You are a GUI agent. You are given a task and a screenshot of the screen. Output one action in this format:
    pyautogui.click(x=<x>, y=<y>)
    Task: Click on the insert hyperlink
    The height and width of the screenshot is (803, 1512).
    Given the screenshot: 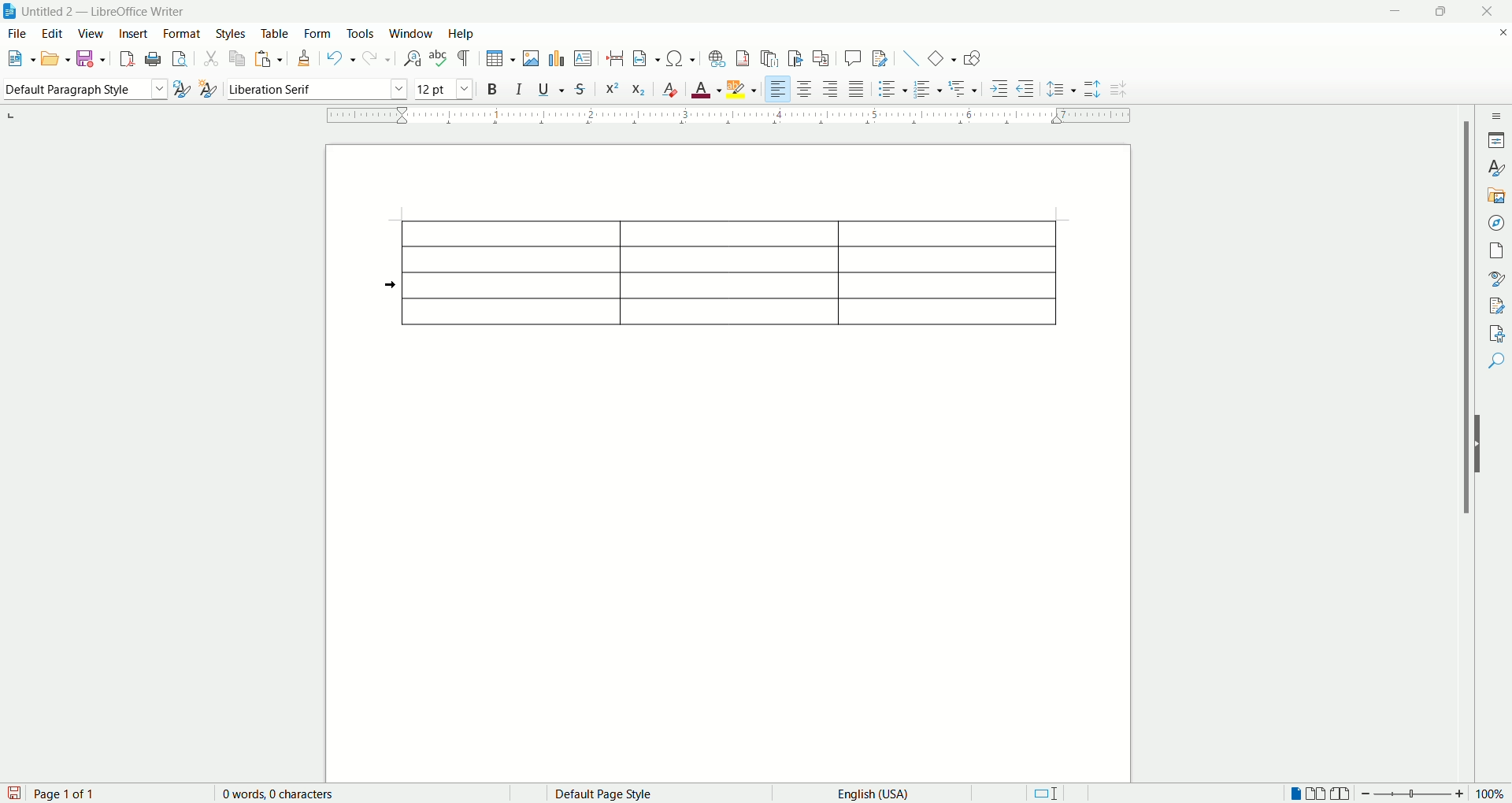 What is the action you would take?
    pyautogui.click(x=717, y=57)
    